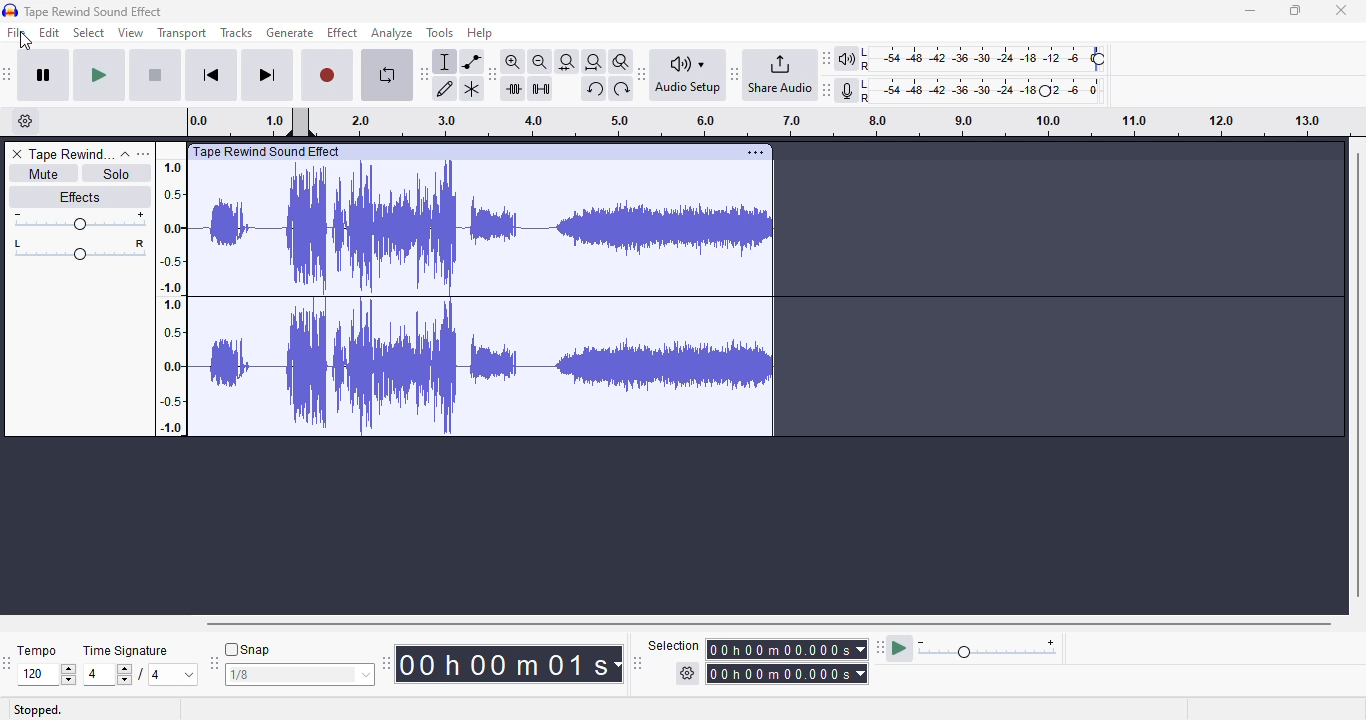 This screenshot has height=720, width=1366. Describe the element at coordinates (80, 196) in the screenshot. I see `effects` at that location.